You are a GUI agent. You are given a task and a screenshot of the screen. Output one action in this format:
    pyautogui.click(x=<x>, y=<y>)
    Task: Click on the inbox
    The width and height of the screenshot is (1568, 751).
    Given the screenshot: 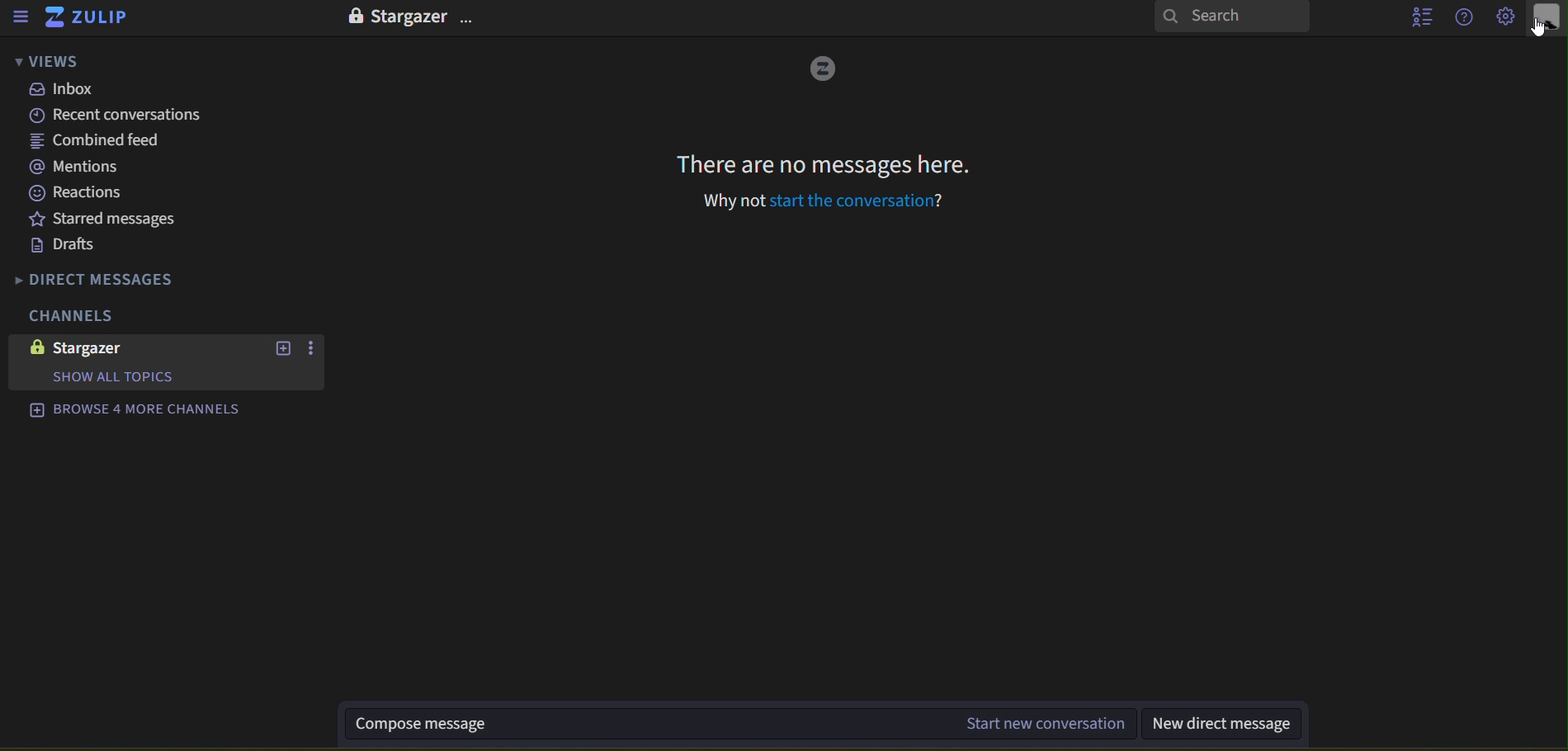 What is the action you would take?
    pyautogui.click(x=67, y=89)
    